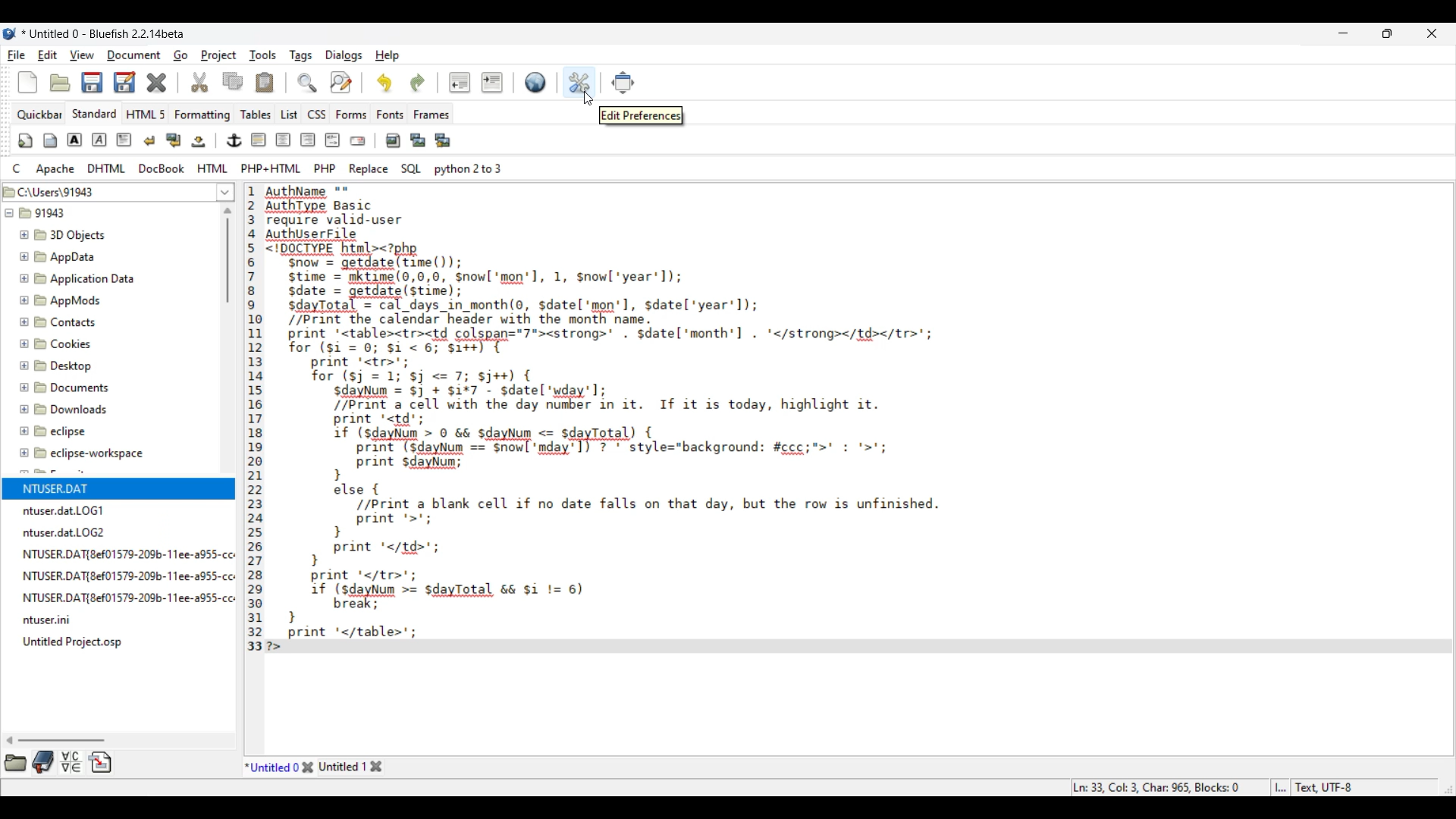 This screenshot has width=1456, height=819. I want to click on Cookies, so click(71, 346).